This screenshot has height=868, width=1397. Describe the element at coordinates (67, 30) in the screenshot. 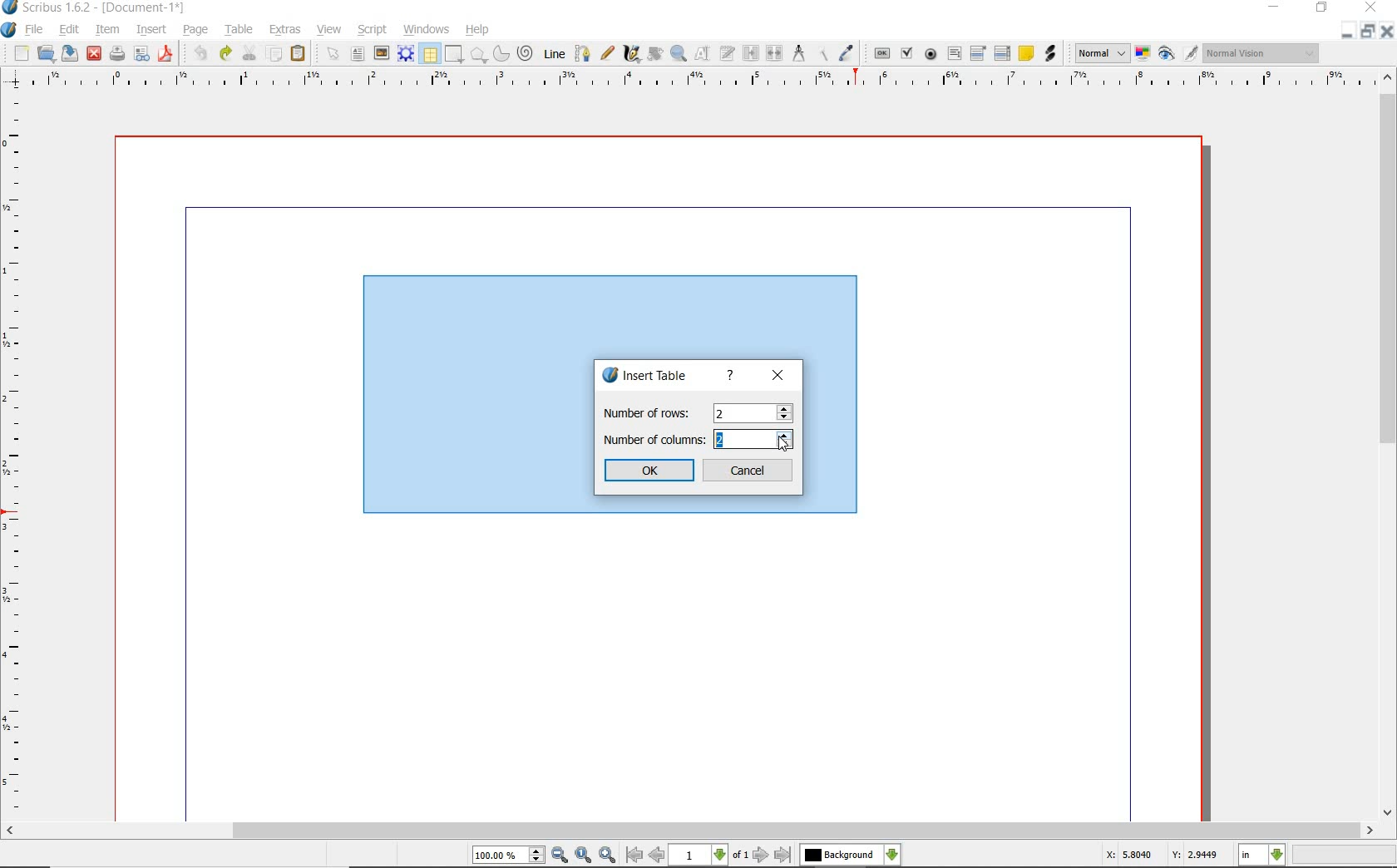

I see `edit` at that location.